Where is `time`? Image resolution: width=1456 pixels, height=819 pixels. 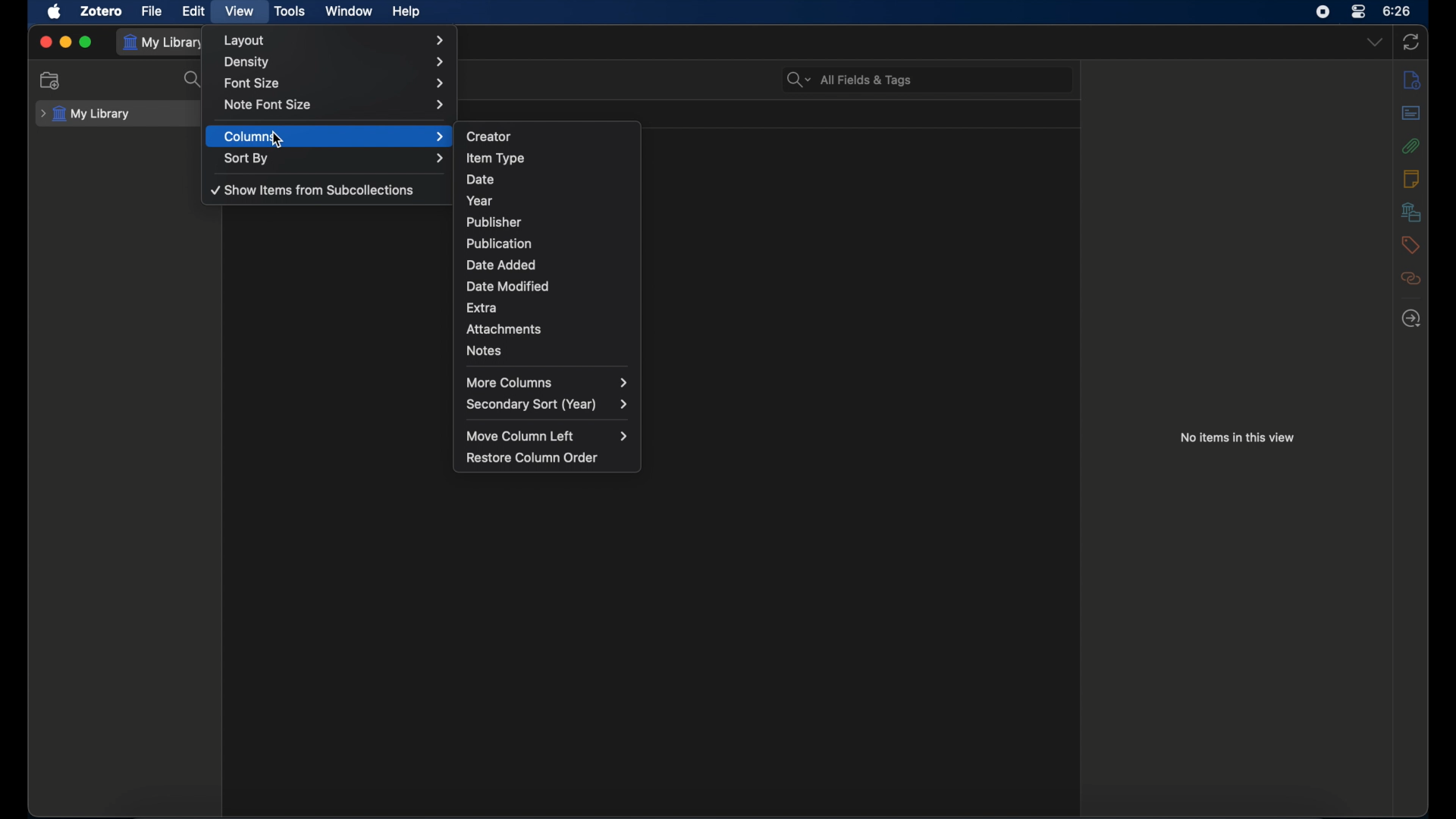 time is located at coordinates (1398, 10).